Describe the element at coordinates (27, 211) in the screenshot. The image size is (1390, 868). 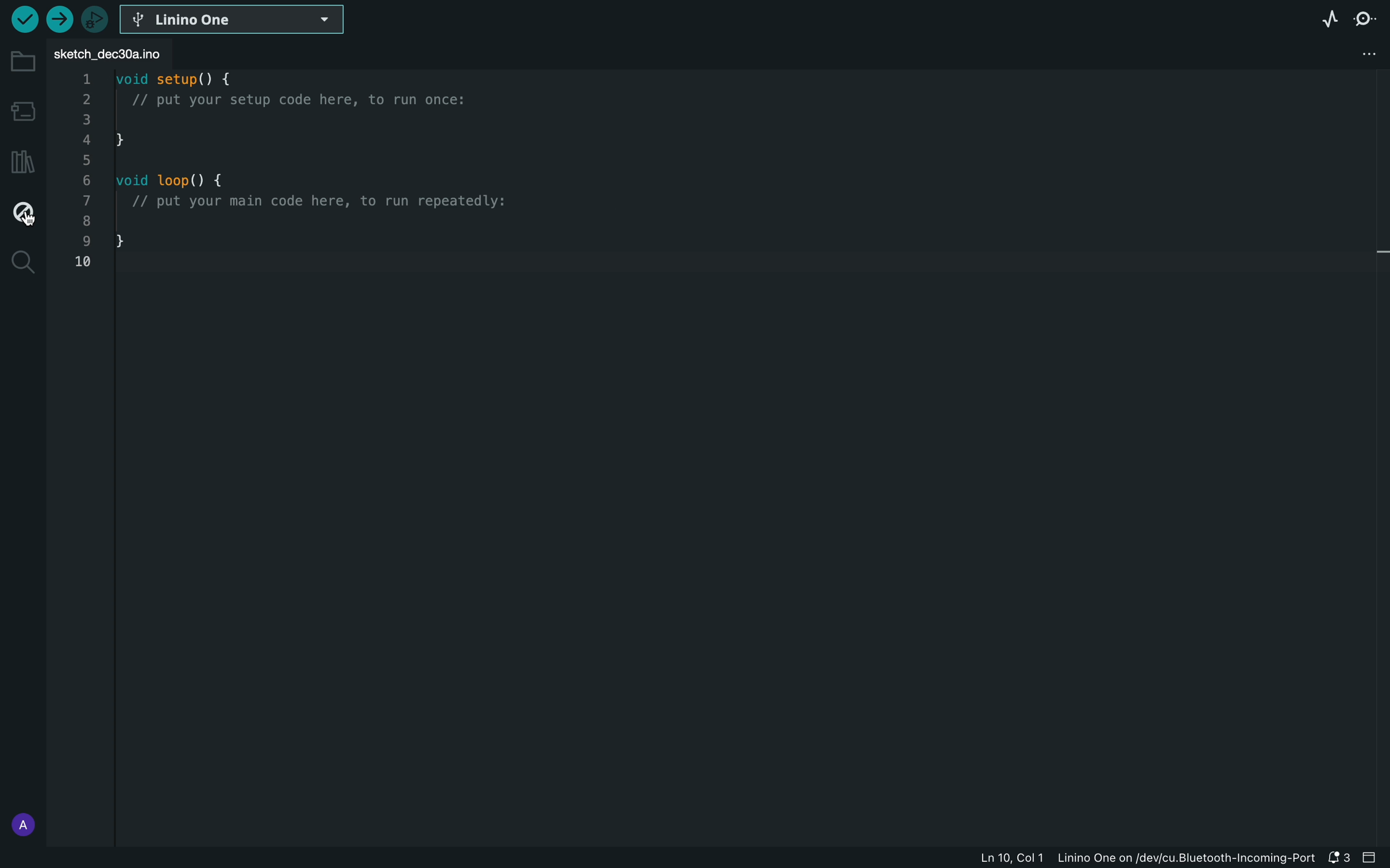
I see `cursor` at that location.